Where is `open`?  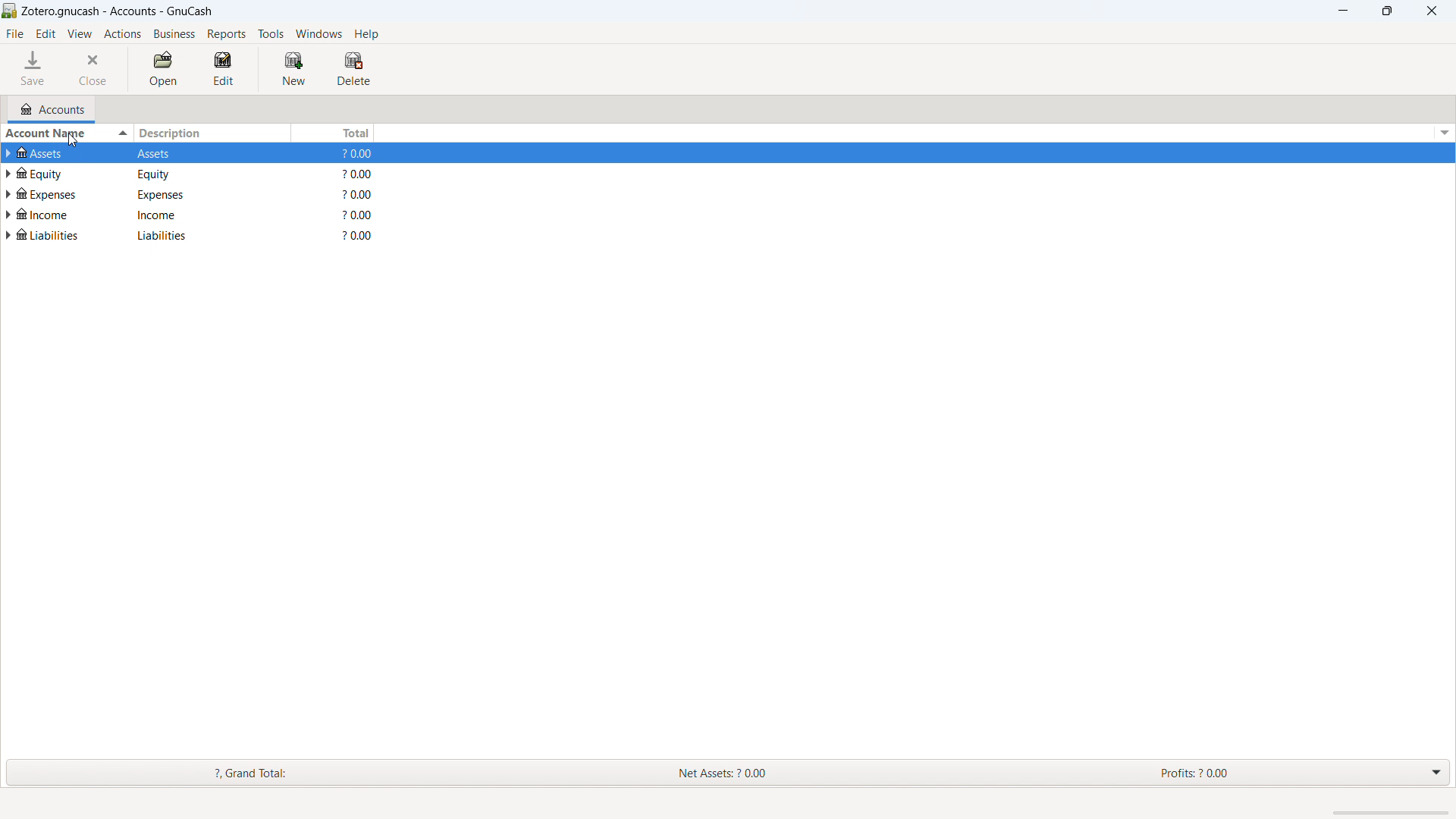
open is located at coordinates (164, 69).